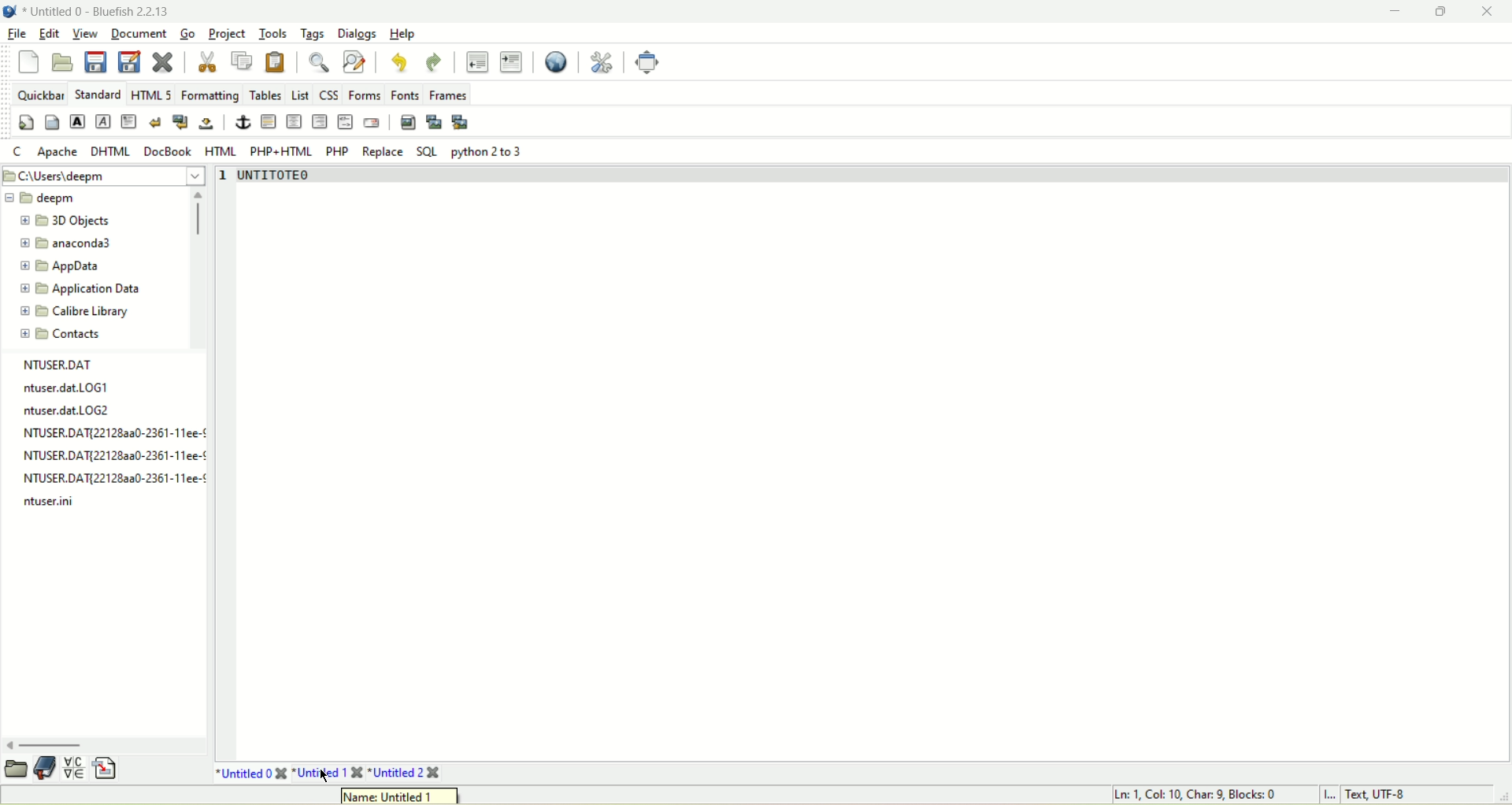 This screenshot has height=805, width=1512. Describe the element at coordinates (511, 60) in the screenshot. I see `indent ` at that location.